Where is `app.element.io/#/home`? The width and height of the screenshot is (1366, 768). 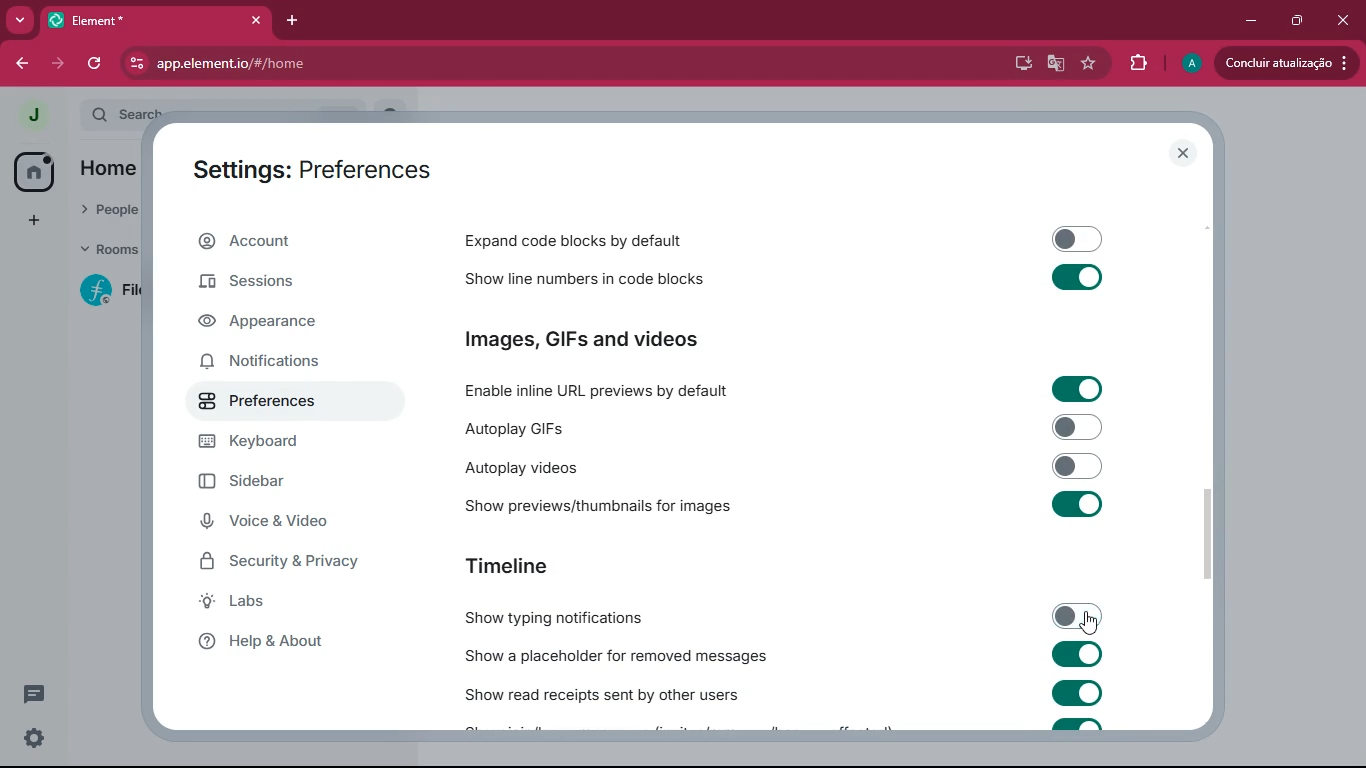
app.element.io/#/home is located at coordinates (349, 64).